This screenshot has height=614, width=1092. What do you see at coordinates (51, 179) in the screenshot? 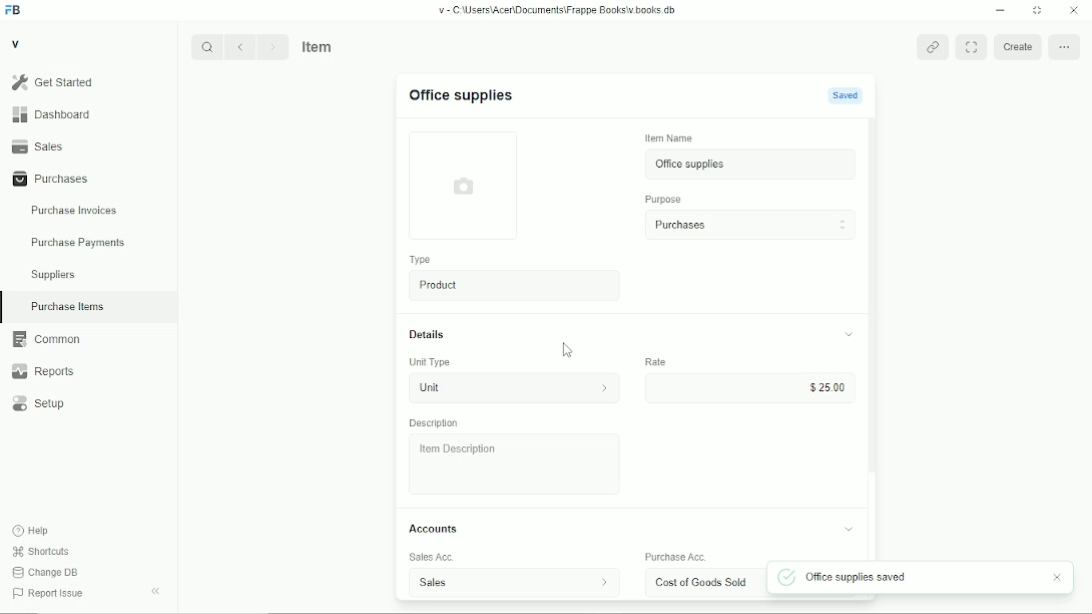
I see `purchases` at bounding box center [51, 179].